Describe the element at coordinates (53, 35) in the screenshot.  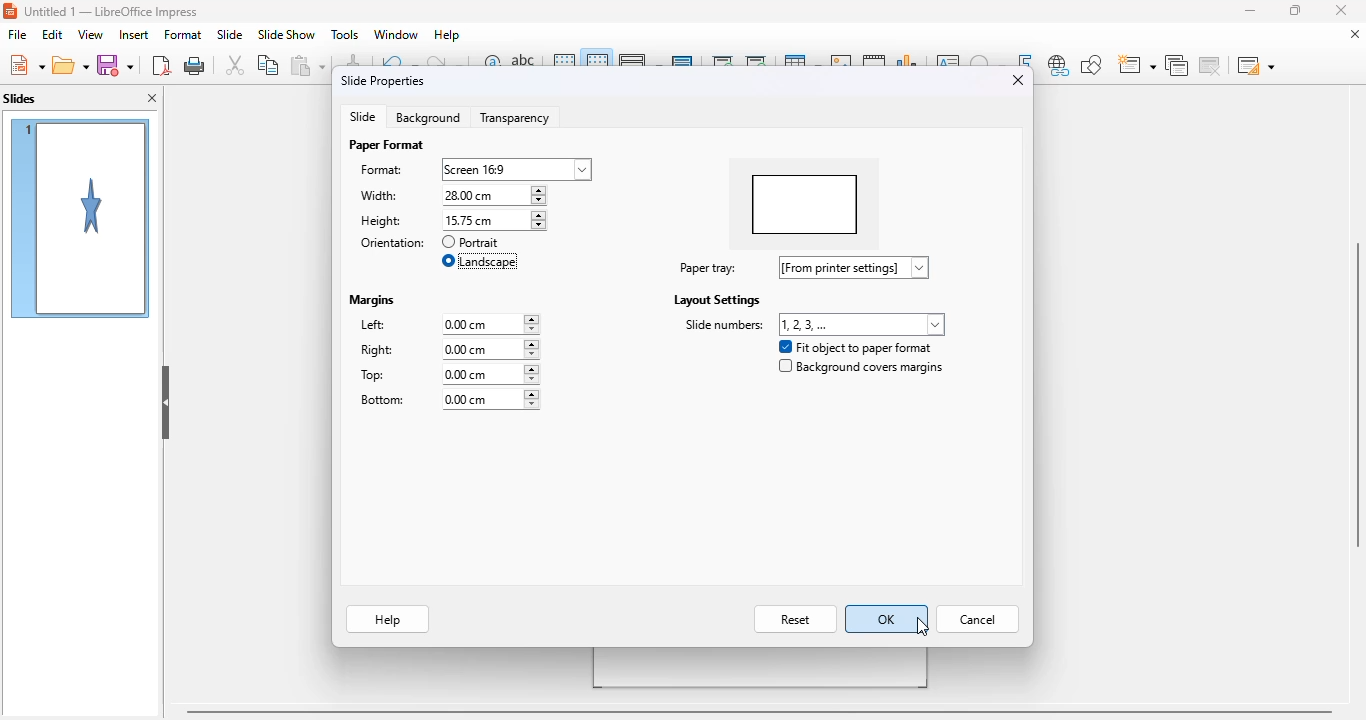
I see `edit` at that location.